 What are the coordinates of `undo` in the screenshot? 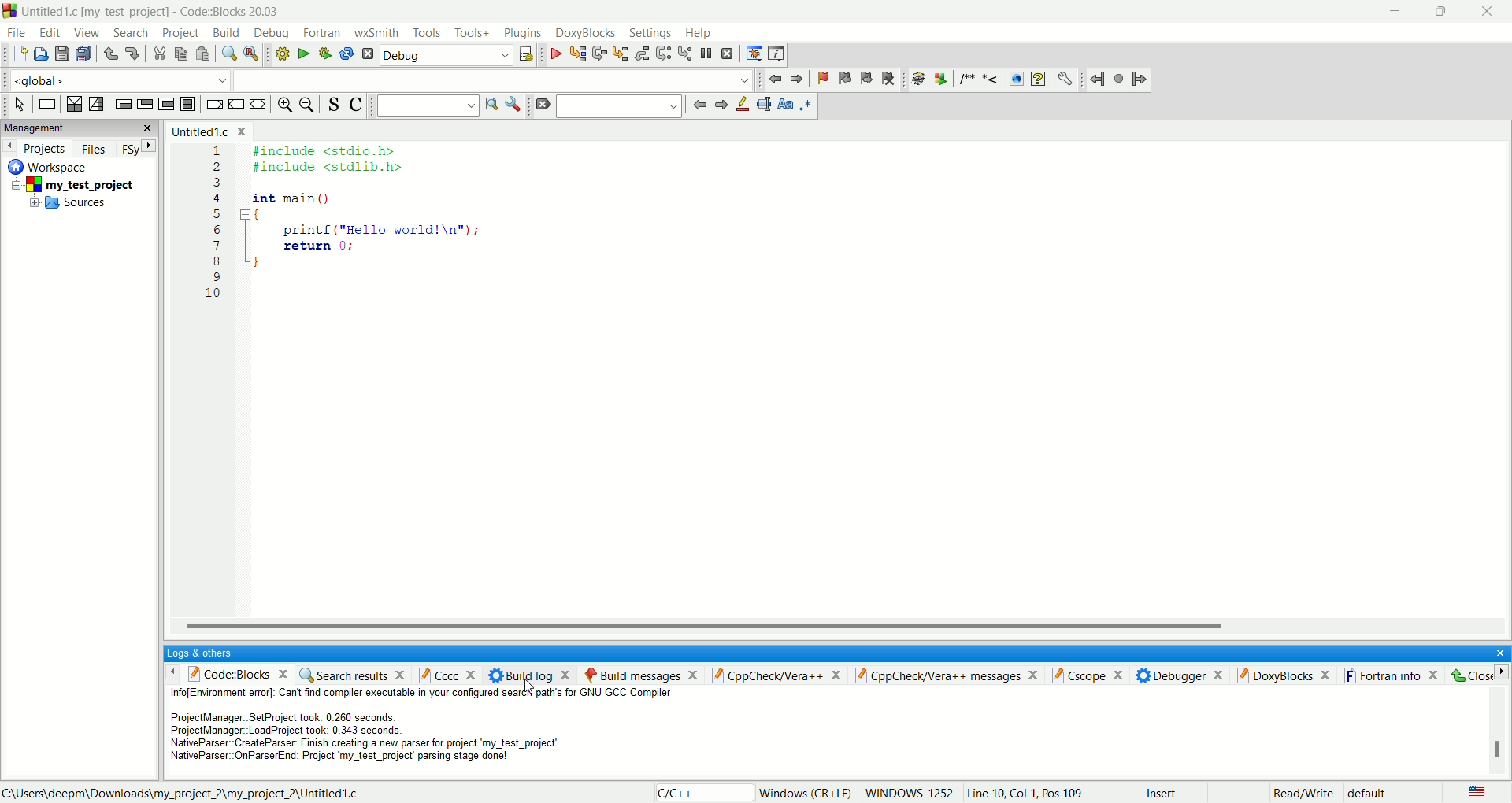 It's located at (108, 54).